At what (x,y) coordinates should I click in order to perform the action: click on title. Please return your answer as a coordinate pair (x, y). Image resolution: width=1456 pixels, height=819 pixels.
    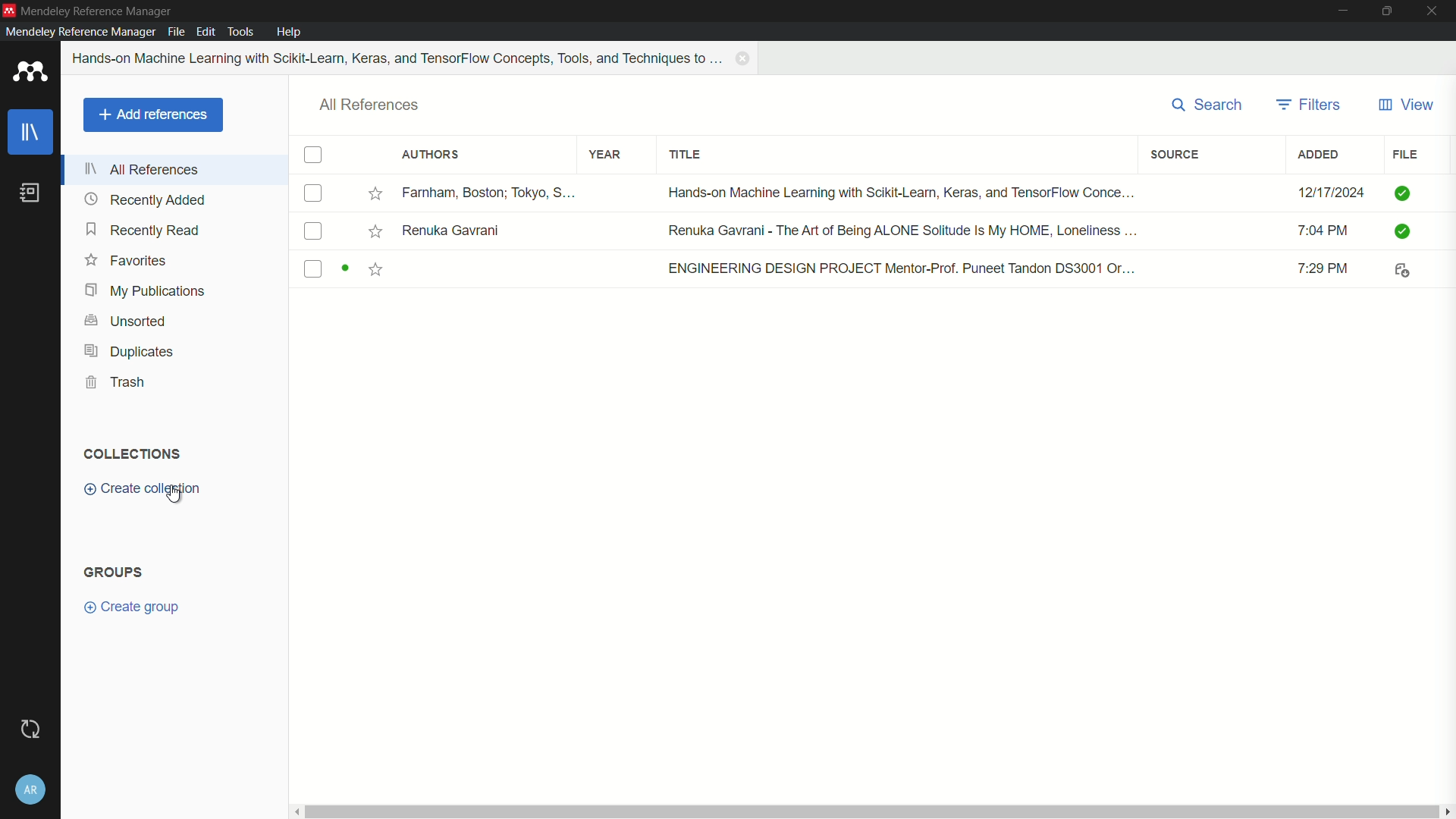
    Looking at the image, I should click on (686, 155).